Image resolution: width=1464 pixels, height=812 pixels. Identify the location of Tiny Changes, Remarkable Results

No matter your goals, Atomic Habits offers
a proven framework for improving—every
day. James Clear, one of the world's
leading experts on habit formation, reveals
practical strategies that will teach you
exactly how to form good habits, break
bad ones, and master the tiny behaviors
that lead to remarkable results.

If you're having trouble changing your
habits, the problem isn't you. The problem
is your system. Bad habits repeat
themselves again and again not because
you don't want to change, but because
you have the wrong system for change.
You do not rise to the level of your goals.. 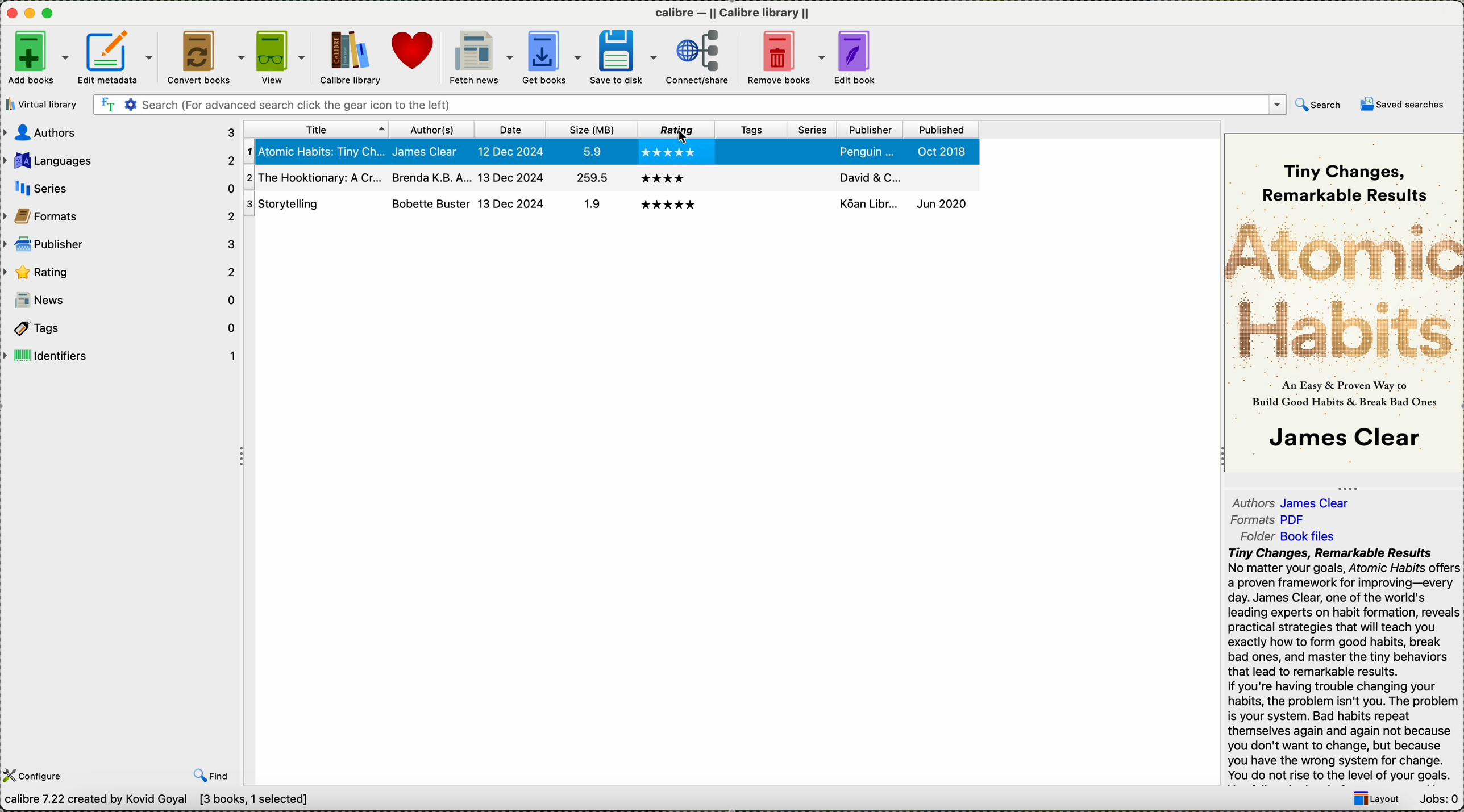
(1342, 665).